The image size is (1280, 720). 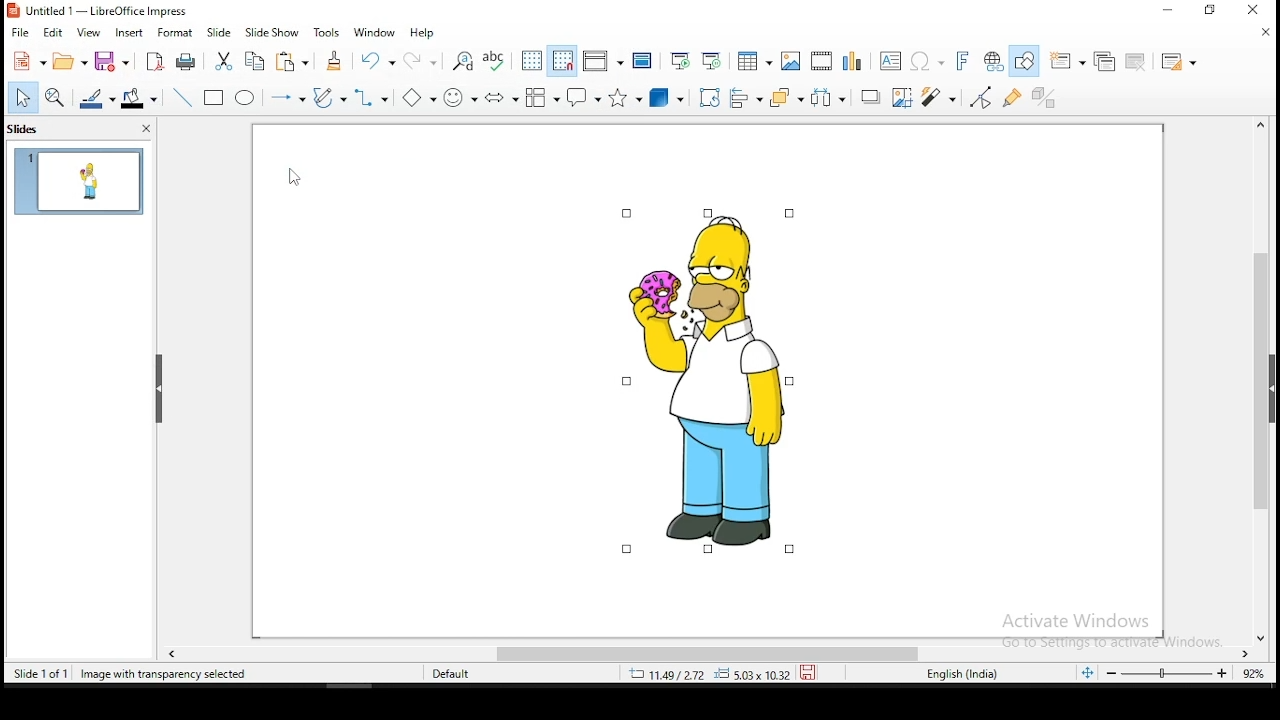 What do you see at coordinates (424, 61) in the screenshot?
I see `redo` at bounding box center [424, 61].